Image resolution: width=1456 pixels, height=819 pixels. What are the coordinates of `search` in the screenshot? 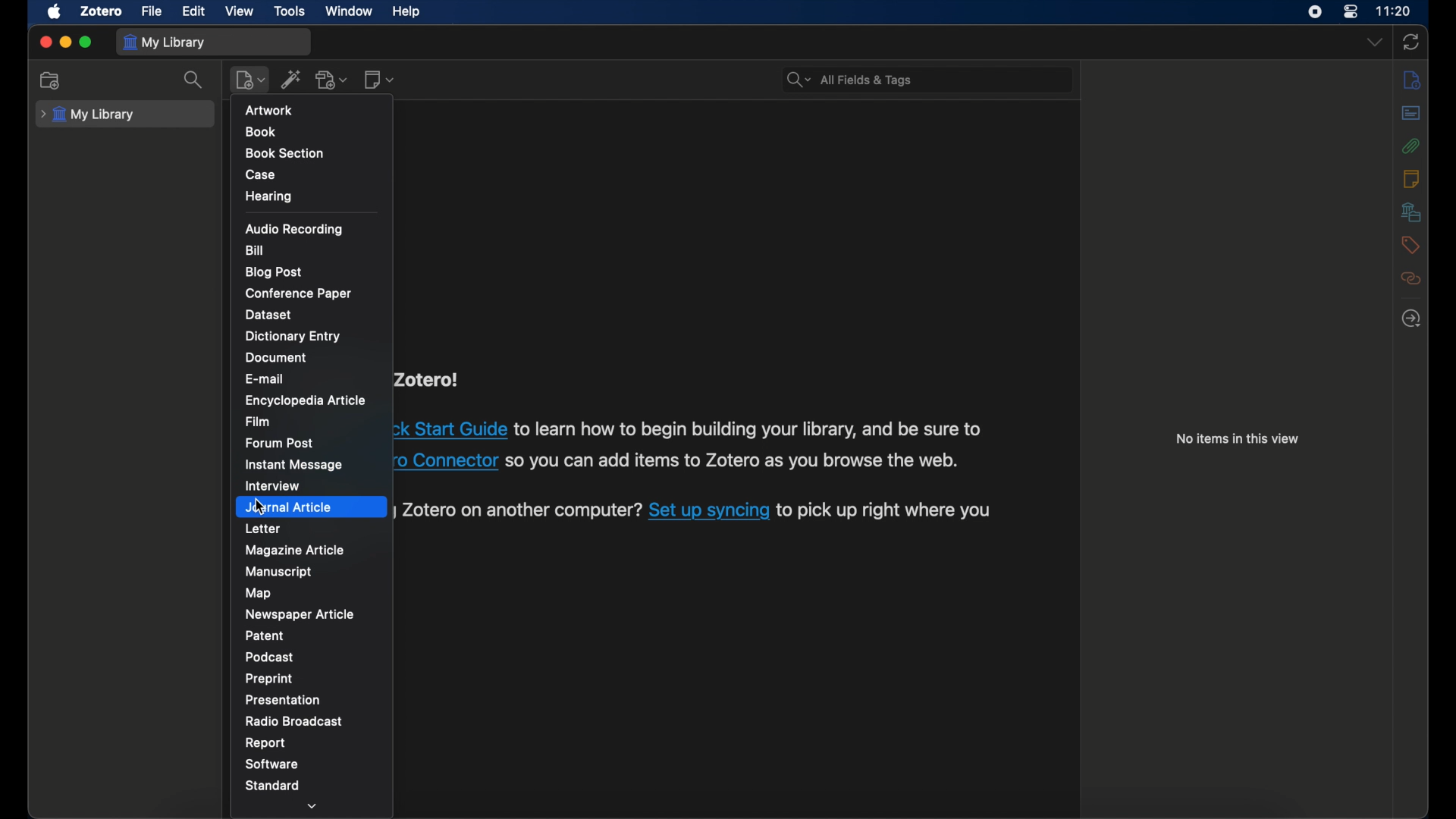 It's located at (847, 78).